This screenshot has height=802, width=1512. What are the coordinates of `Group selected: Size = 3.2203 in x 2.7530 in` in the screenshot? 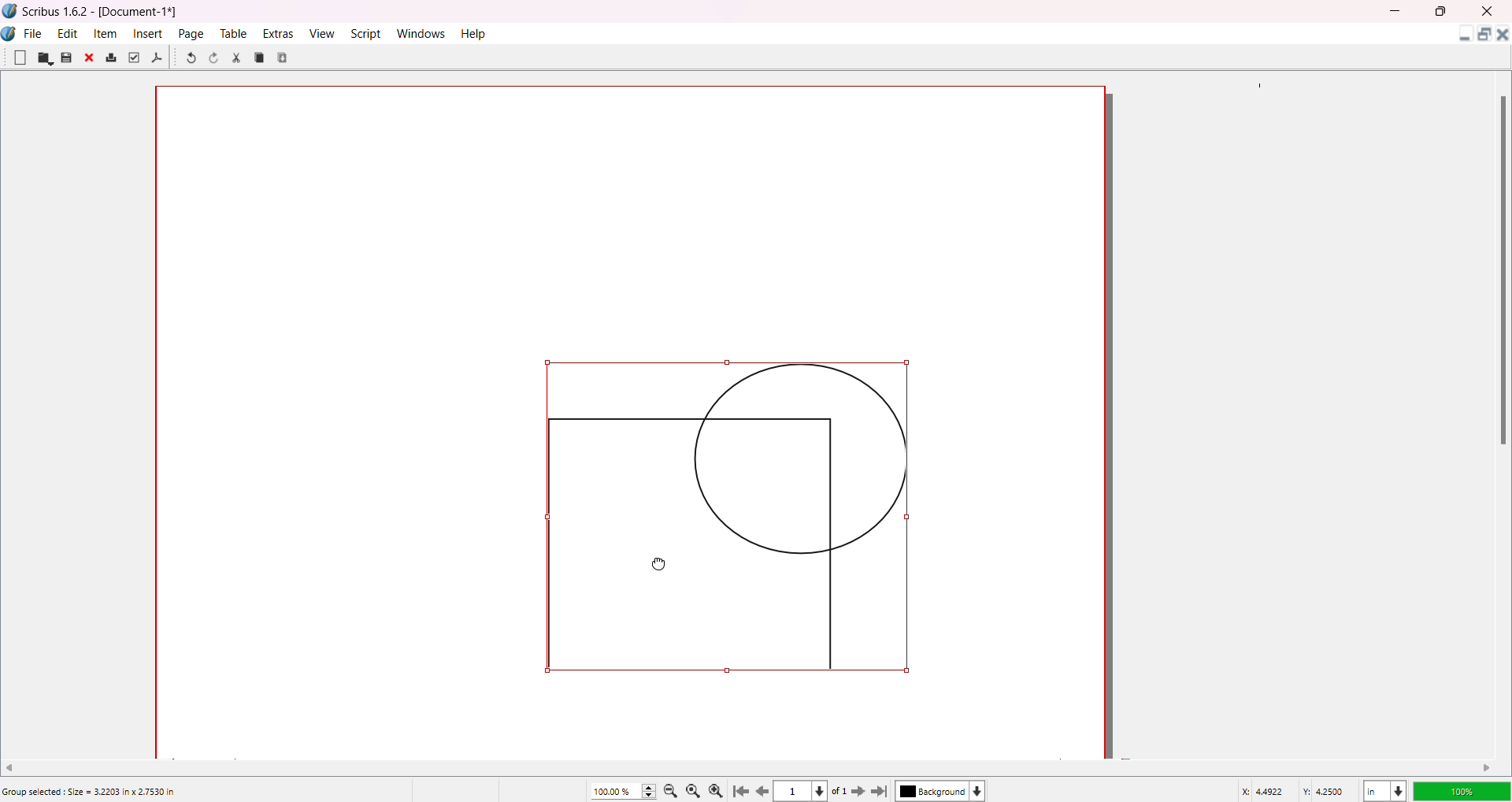 It's located at (91, 792).